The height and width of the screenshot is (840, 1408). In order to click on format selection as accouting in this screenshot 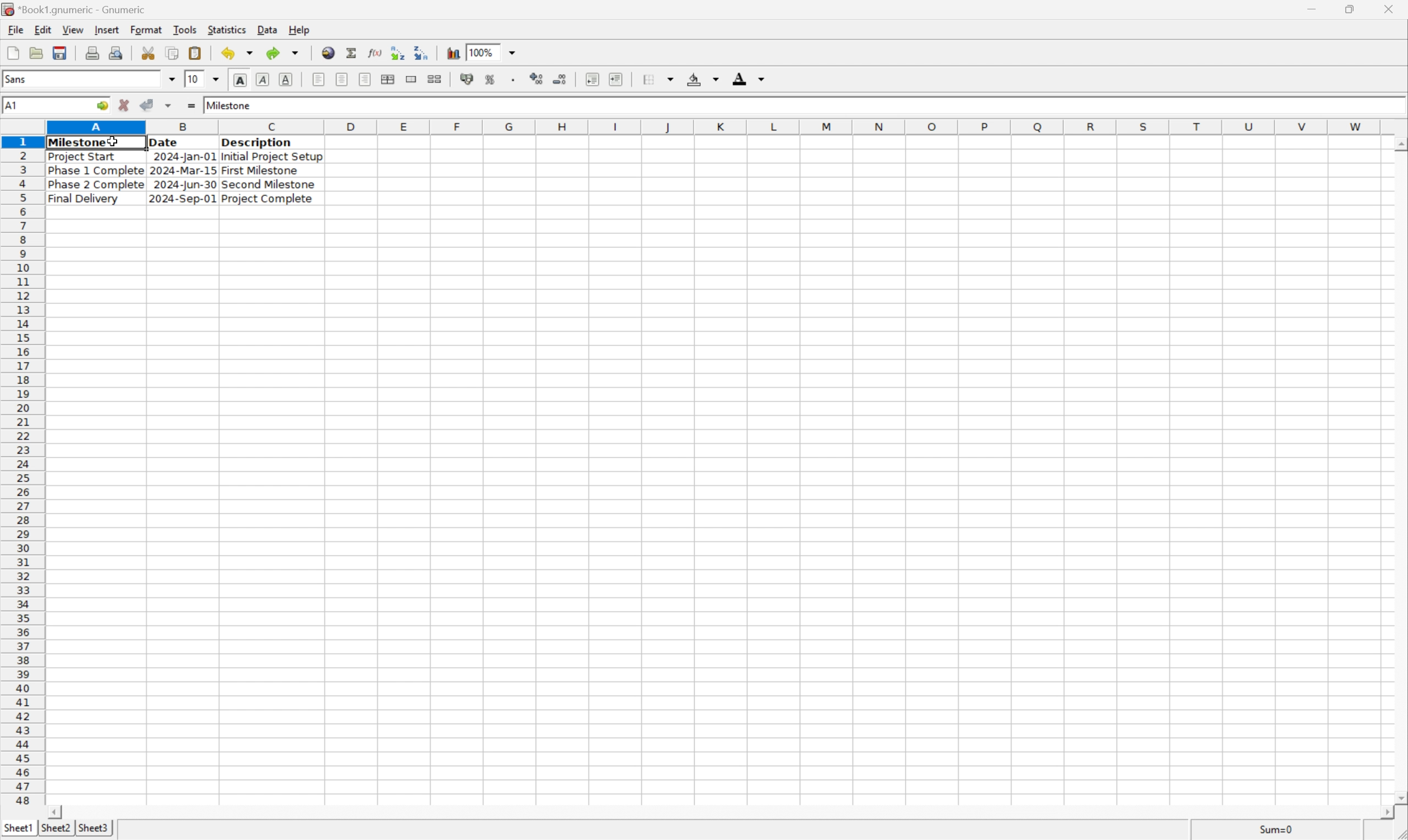, I will do `click(468, 79)`.